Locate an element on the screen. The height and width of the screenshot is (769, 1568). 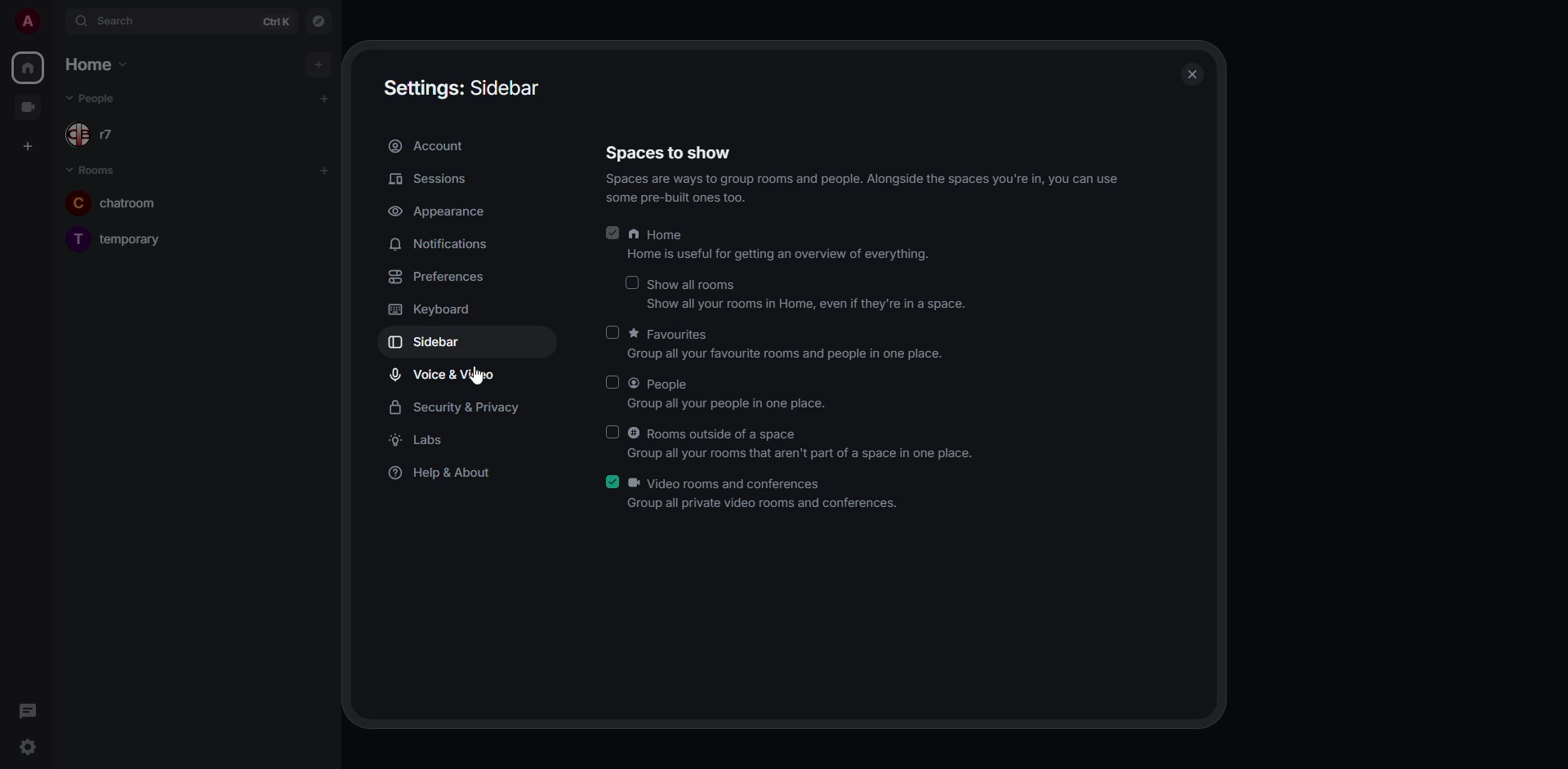
enabled is located at coordinates (610, 232).